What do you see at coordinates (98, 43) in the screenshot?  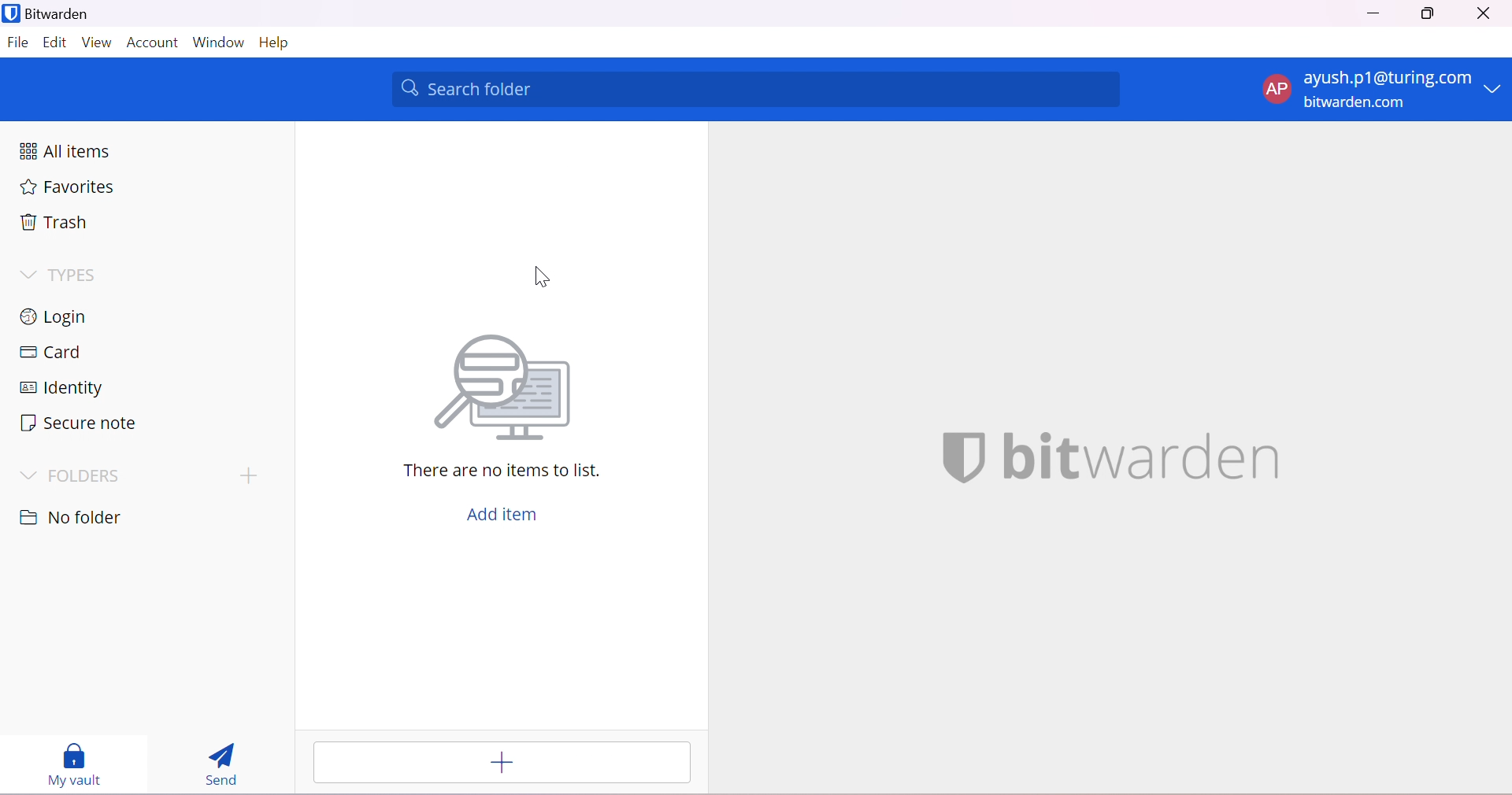 I see `View` at bounding box center [98, 43].